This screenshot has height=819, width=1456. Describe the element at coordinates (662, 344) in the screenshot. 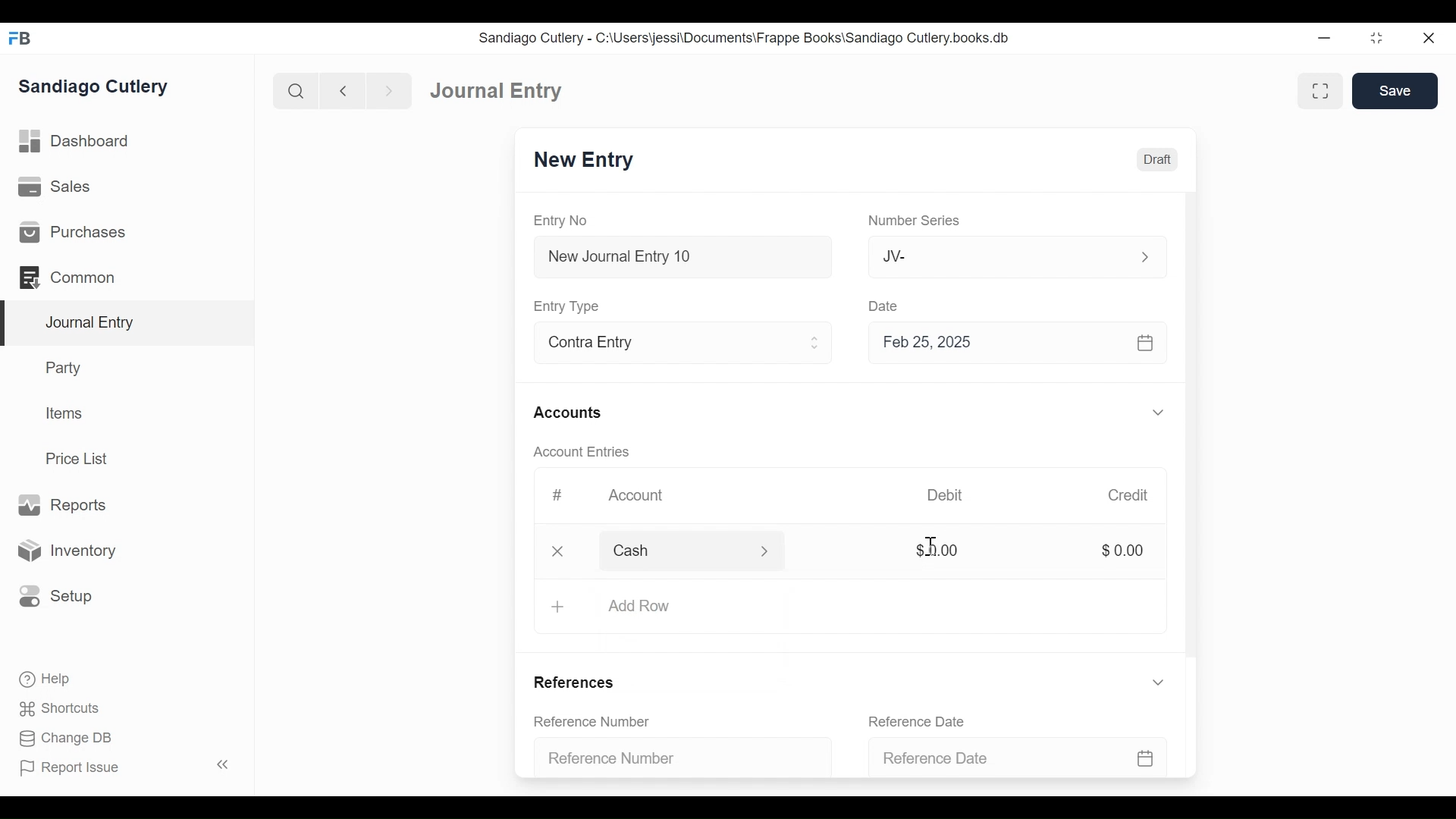

I see `Contra Entry` at that location.